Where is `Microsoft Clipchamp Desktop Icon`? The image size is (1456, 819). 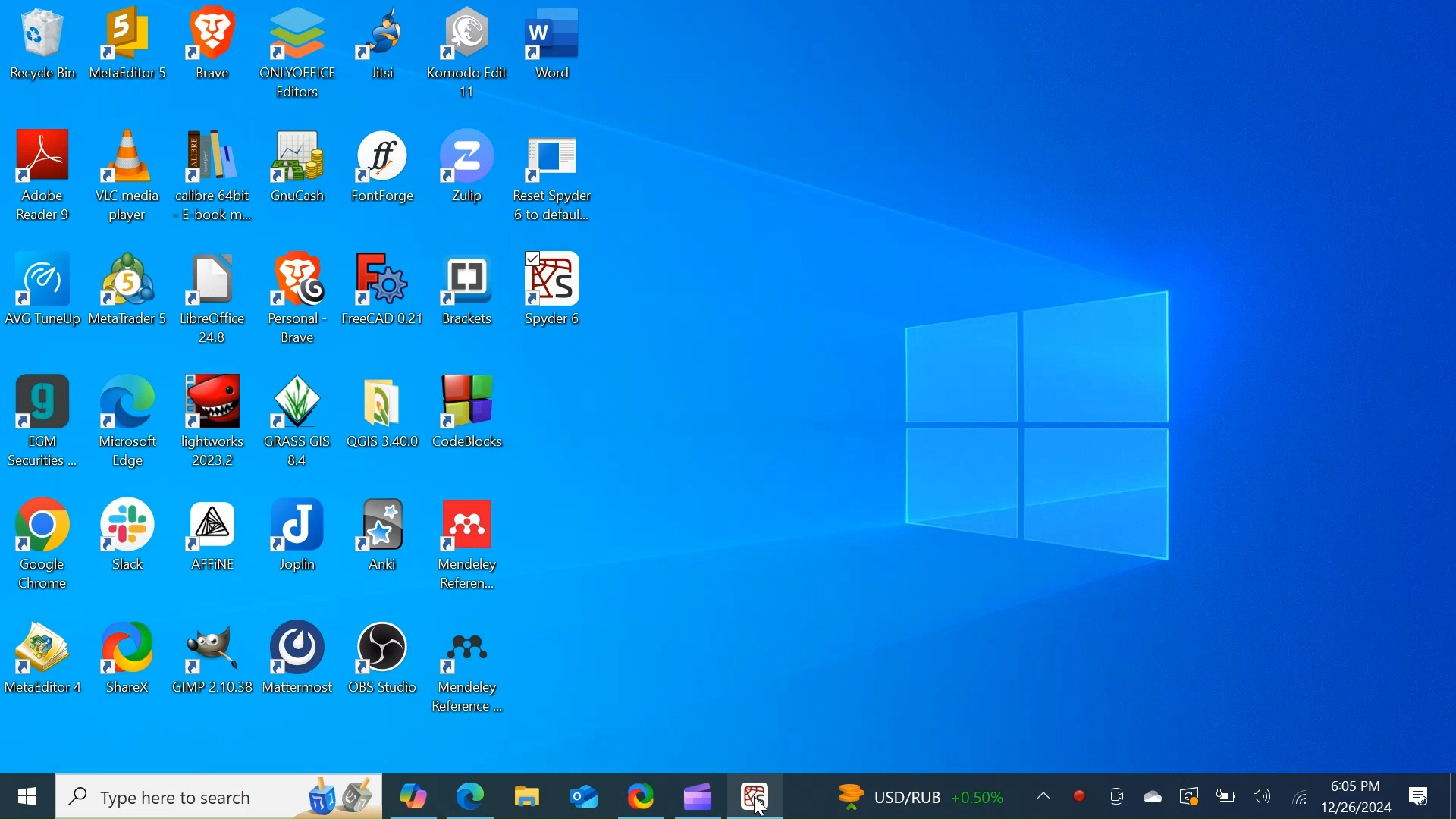 Microsoft Clipchamp Desktop Icon is located at coordinates (697, 795).